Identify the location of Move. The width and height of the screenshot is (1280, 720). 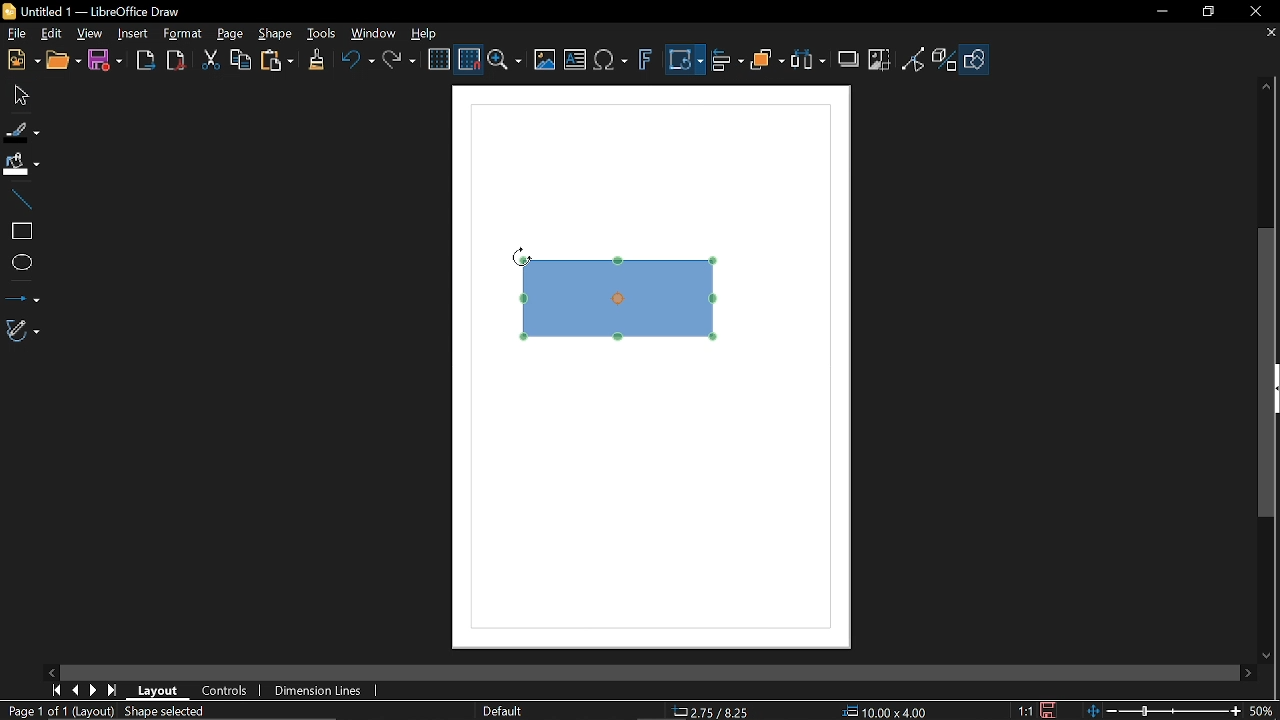
(17, 94).